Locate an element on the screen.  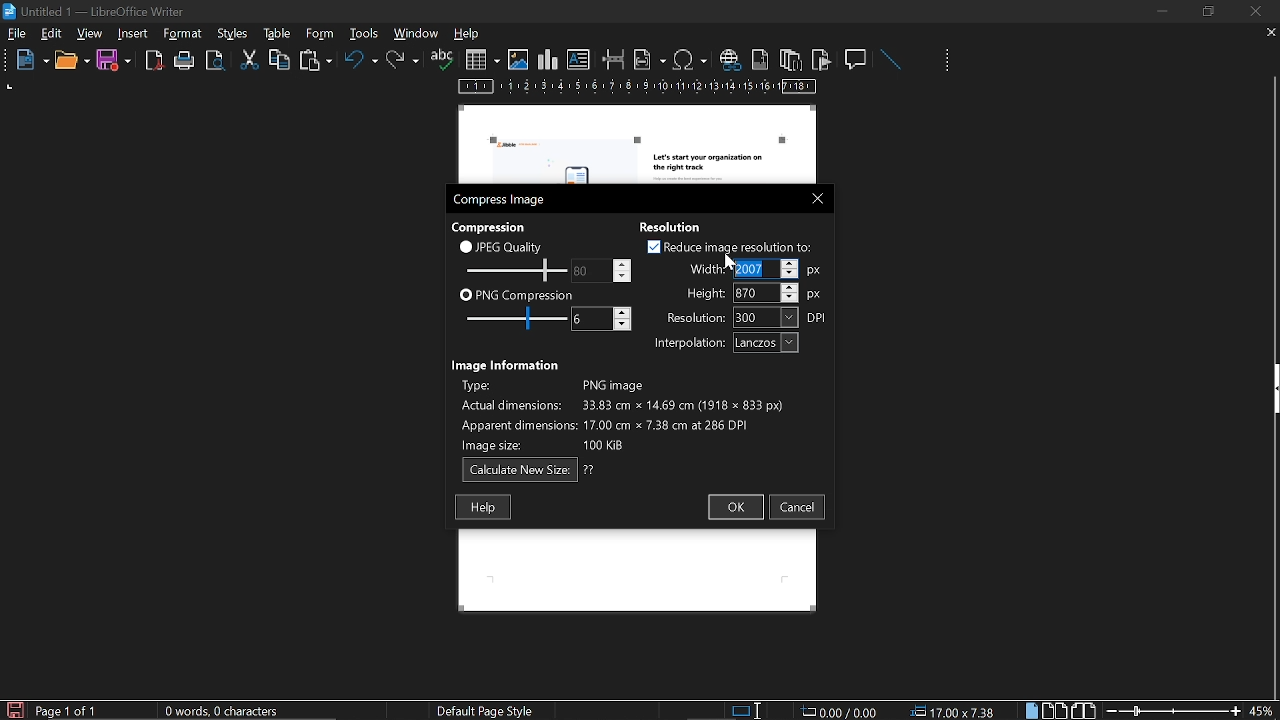
single page view is located at coordinates (1034, 710).